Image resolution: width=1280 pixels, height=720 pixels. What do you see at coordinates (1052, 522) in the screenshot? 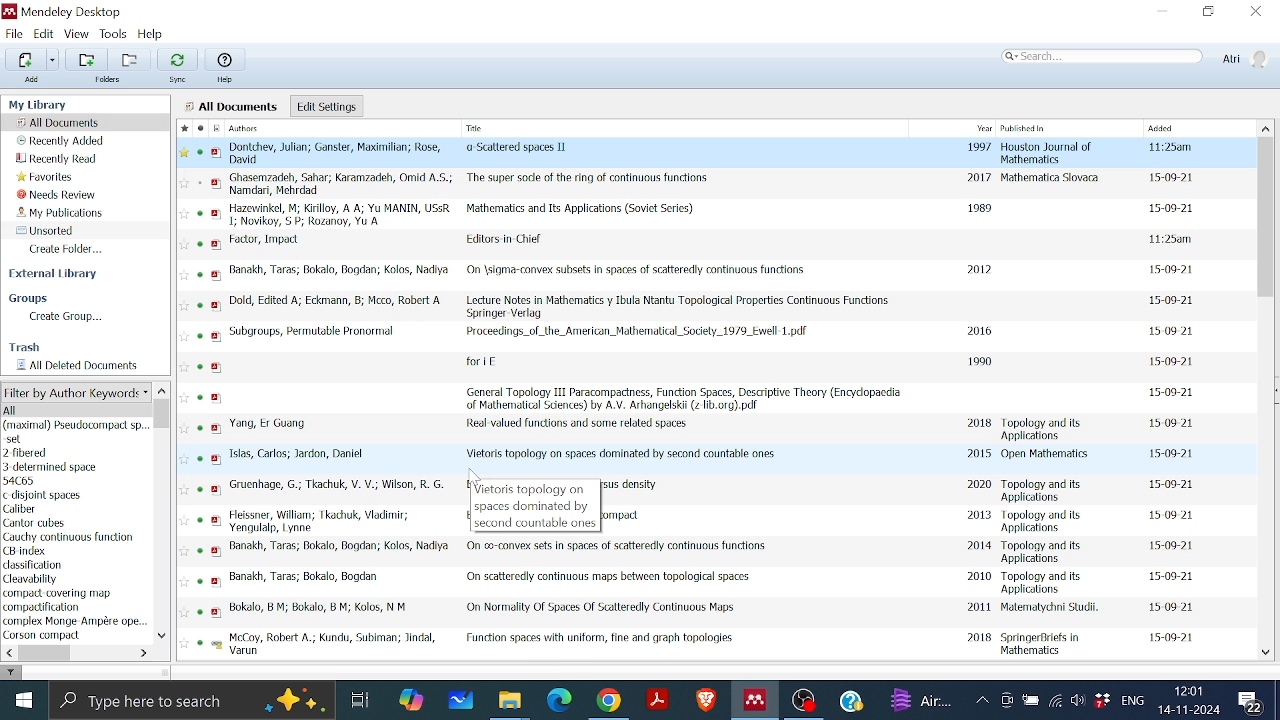
I see `Published in` at bounding box center [1052, 522].